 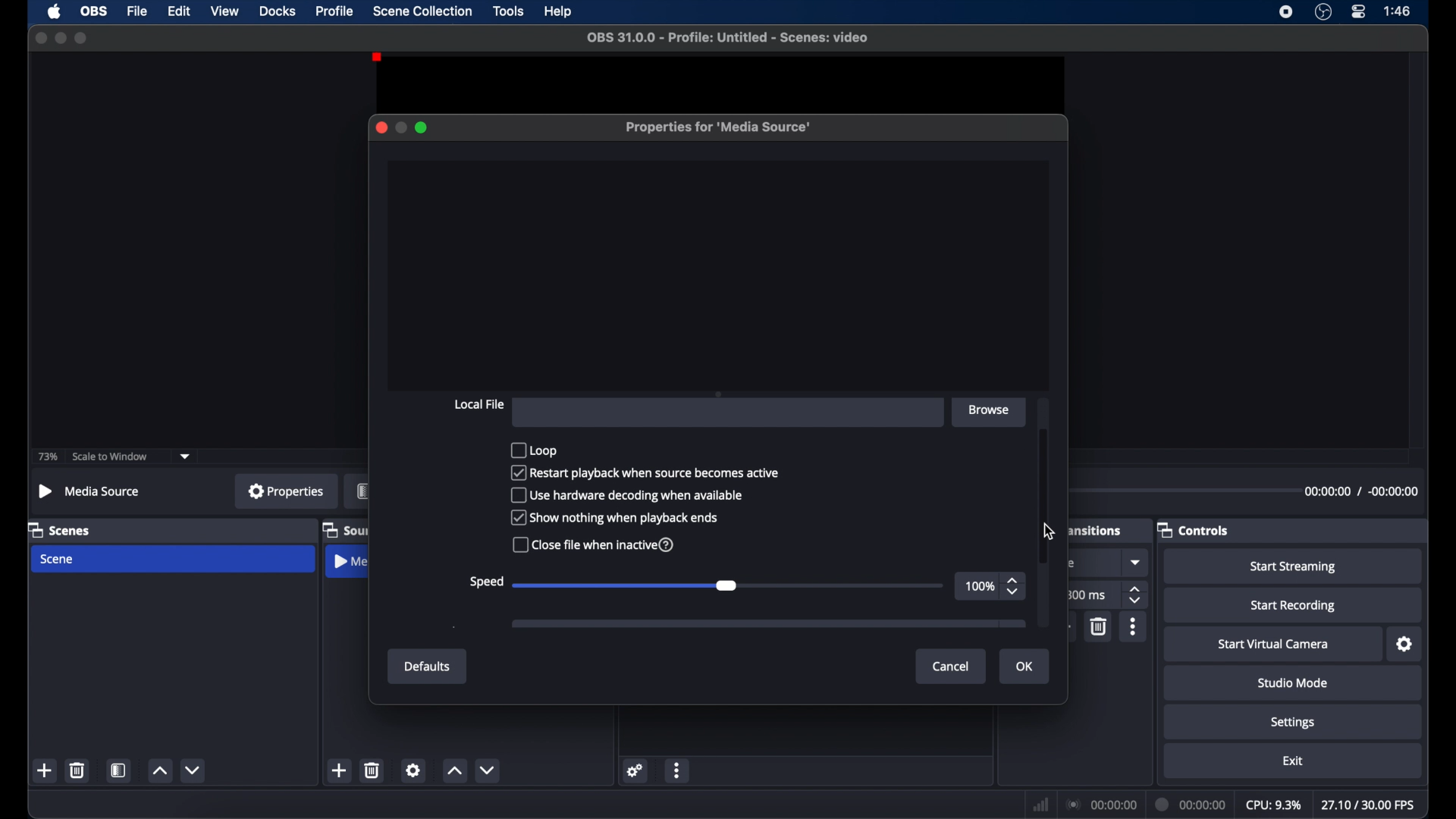 What do you see at coordinates (727, 584) in the screenshot?
I see `slider` at bounding box center [727, 584].